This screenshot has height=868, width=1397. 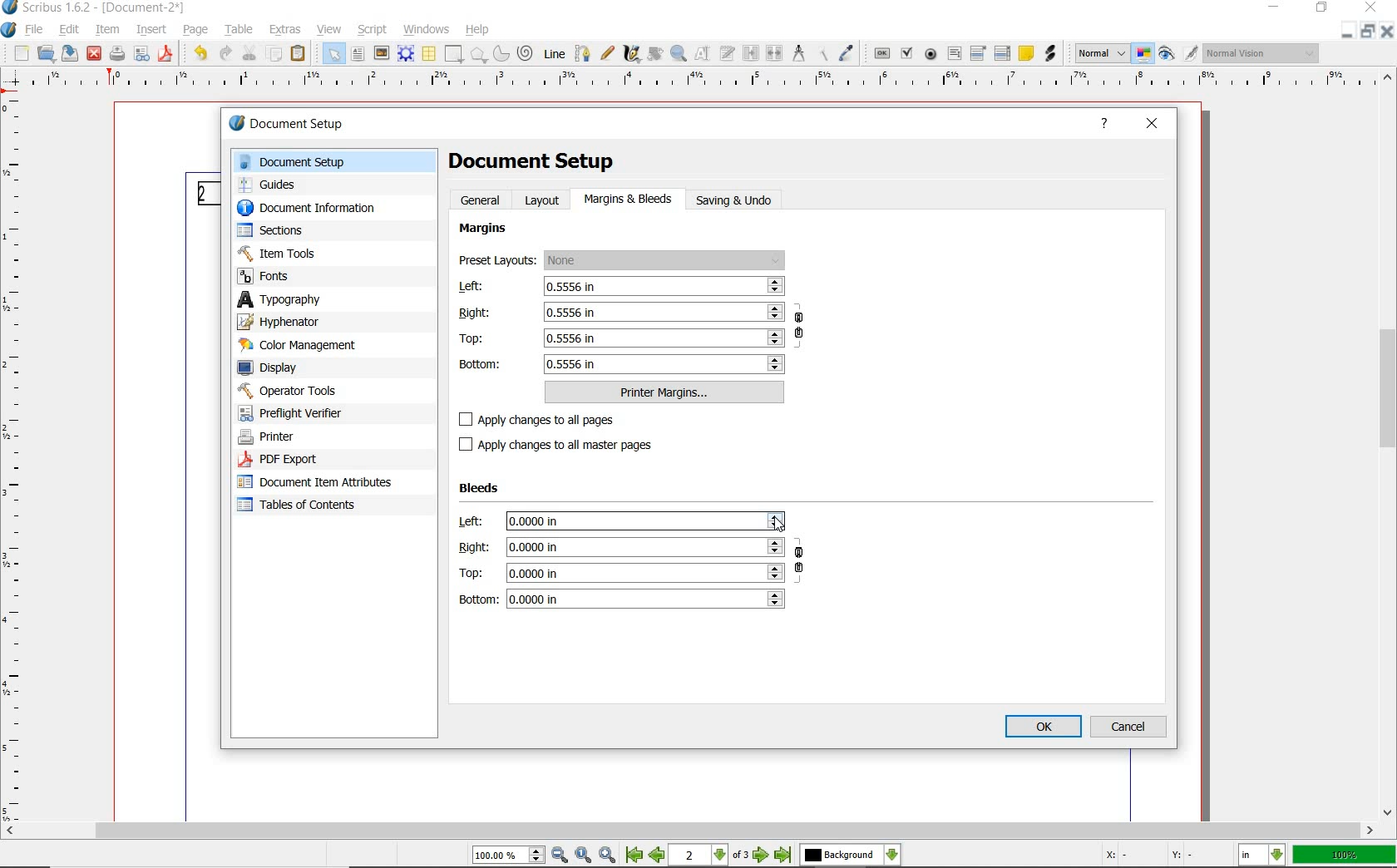 What do you see at coordinates (848, 52) in the screenshot?
I see `eye dropper` at bounding box center [848, 52].